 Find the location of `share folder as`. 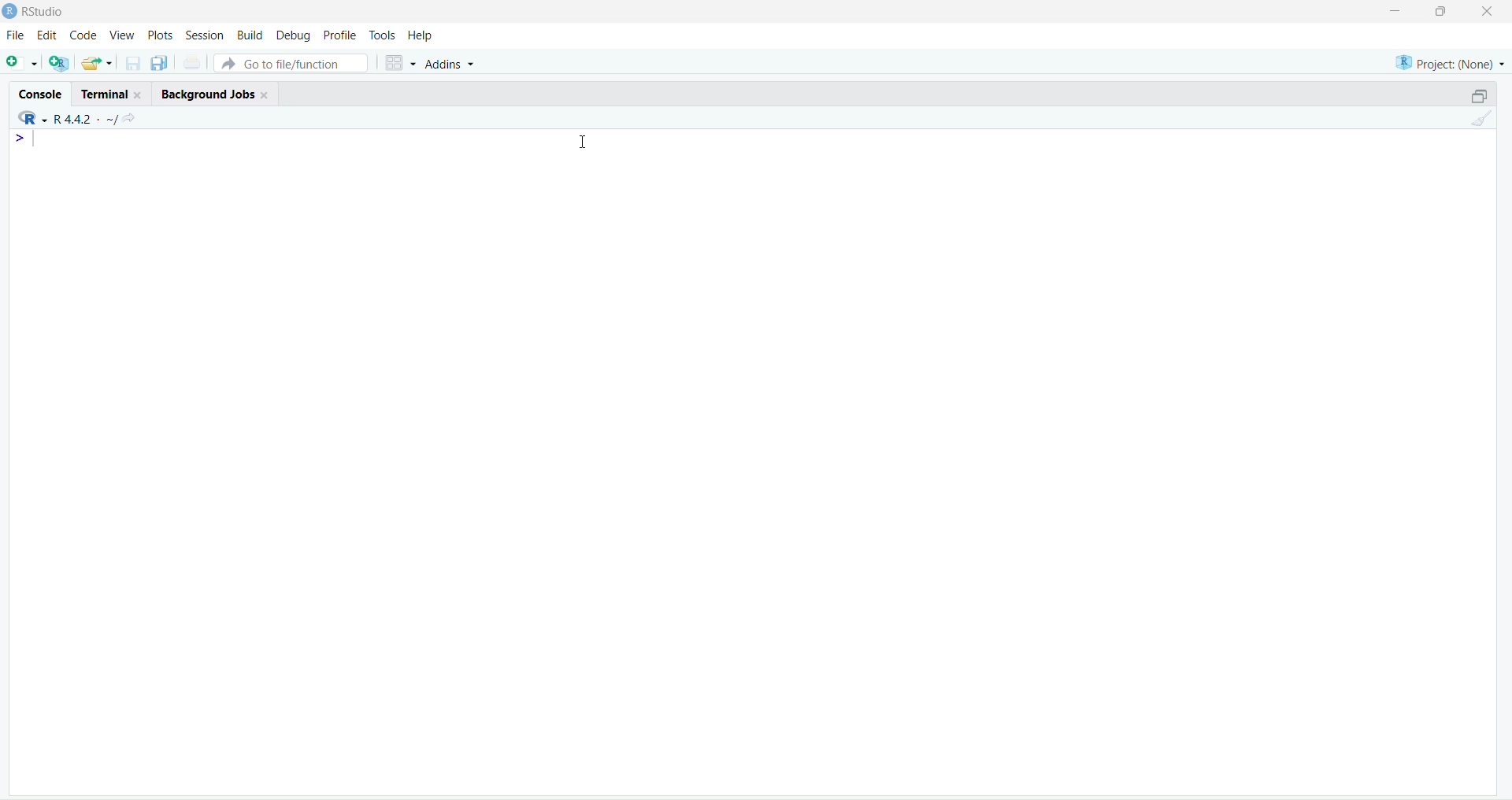

share folder as is located at coordinates (96, 62).